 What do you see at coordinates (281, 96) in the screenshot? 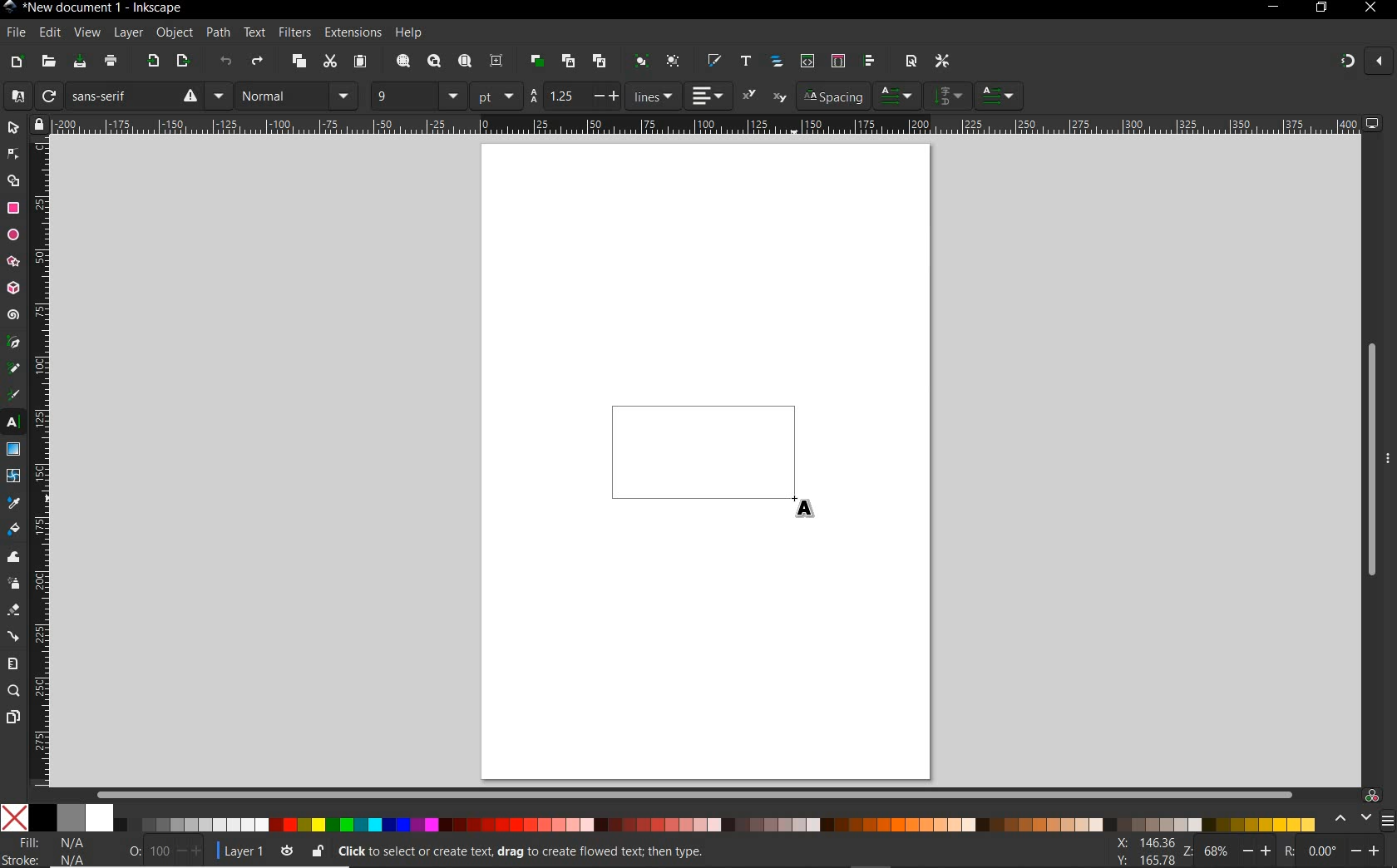
I see `Normal` at bounding box center [281, 96].